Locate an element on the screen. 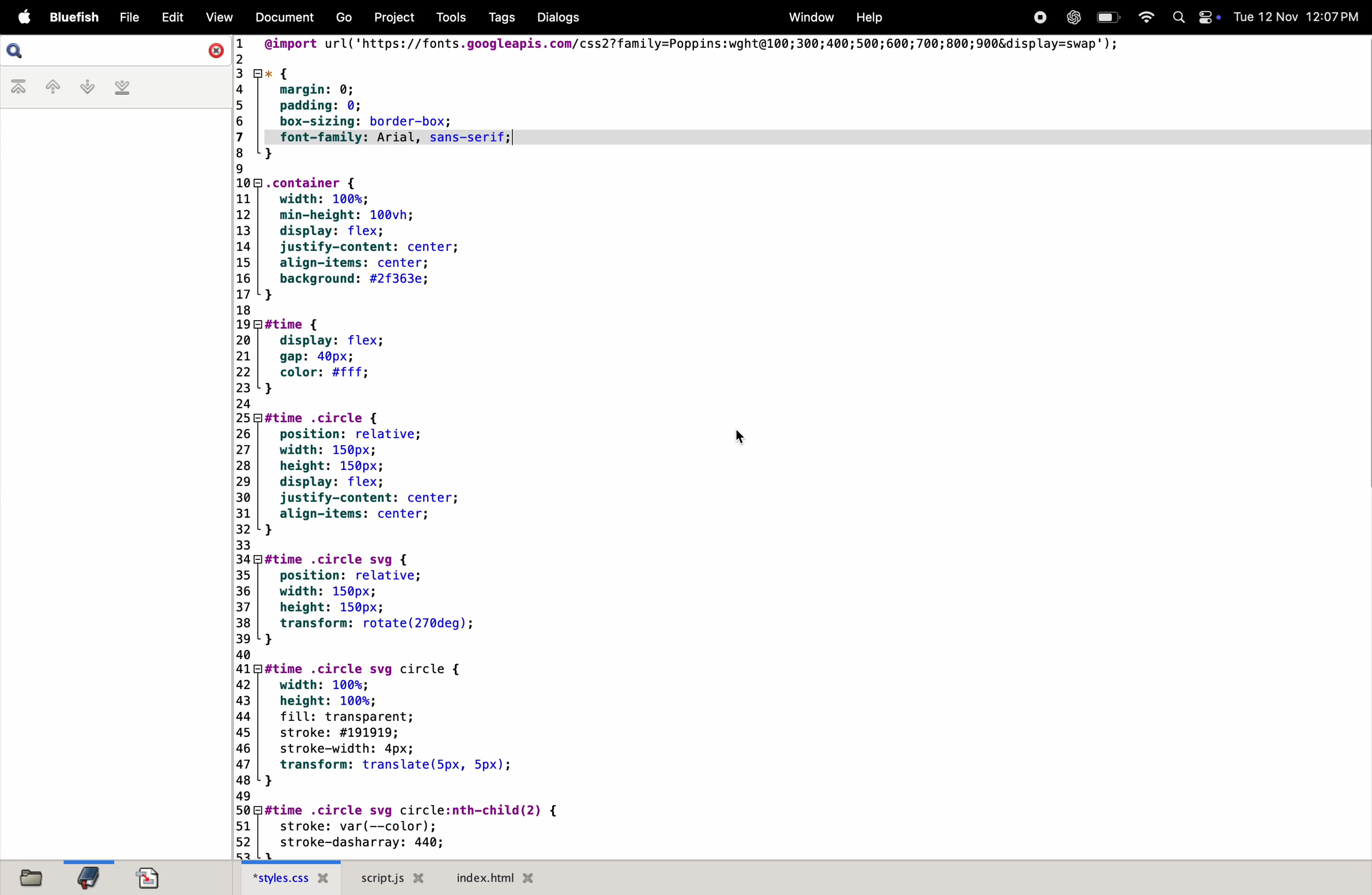 This screenshot has width=1372, height=895. dialogs is located at coordinates (556, 17).